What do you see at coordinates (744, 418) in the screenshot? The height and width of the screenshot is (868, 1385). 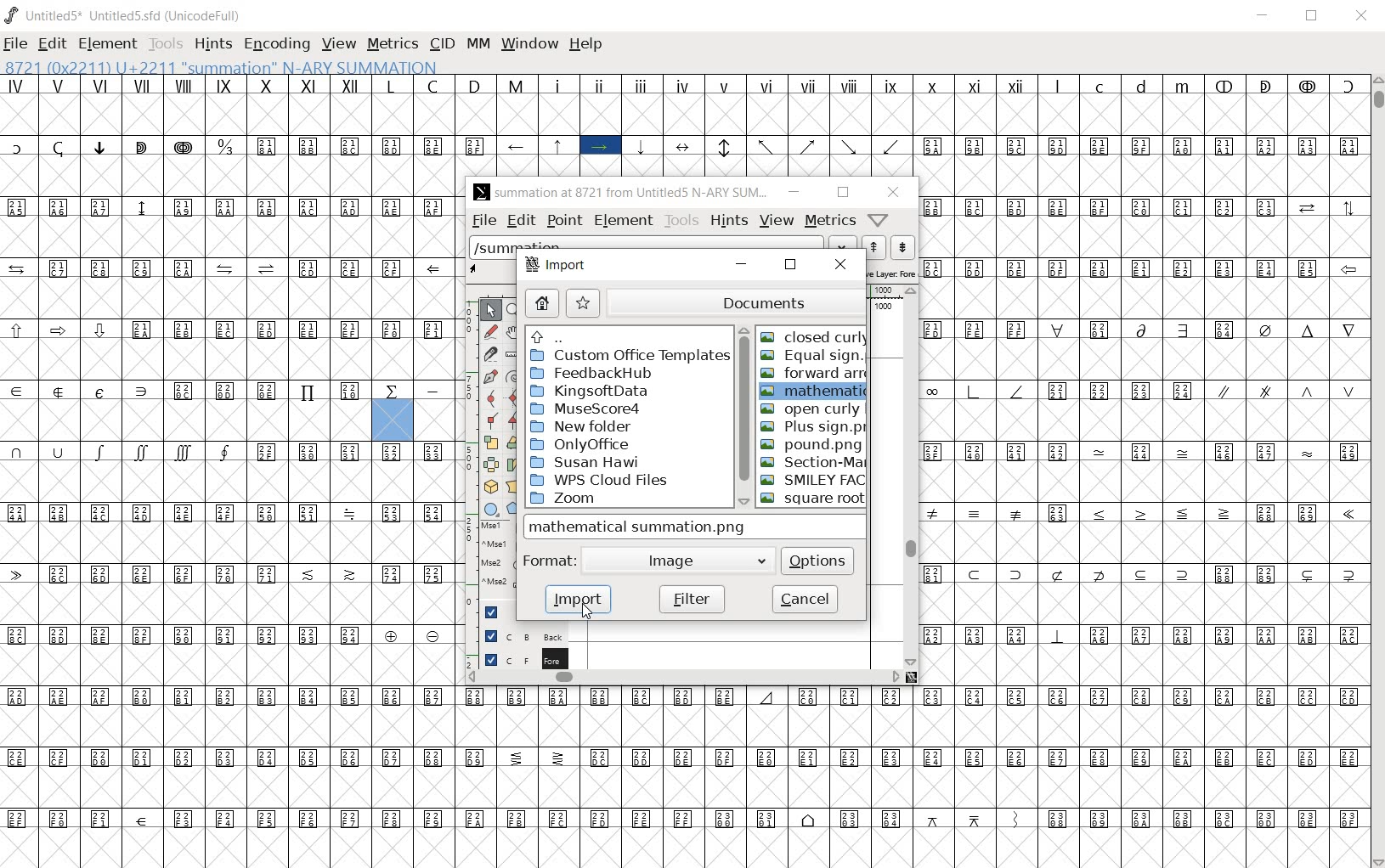 I see `scrollbar` at bounding box center [744, 418].